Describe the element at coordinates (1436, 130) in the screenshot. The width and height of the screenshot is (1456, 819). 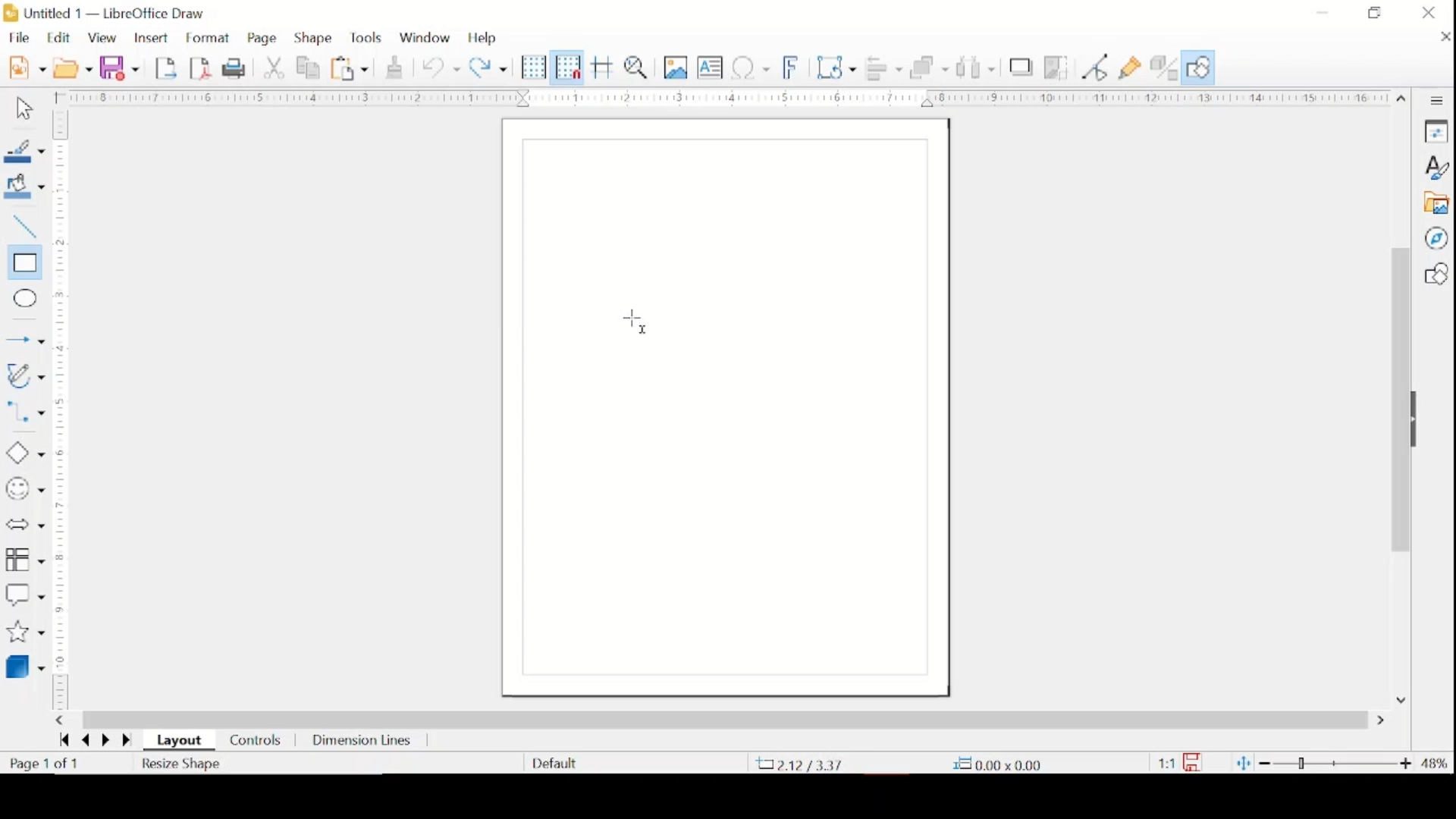
I see `properties` at that location.